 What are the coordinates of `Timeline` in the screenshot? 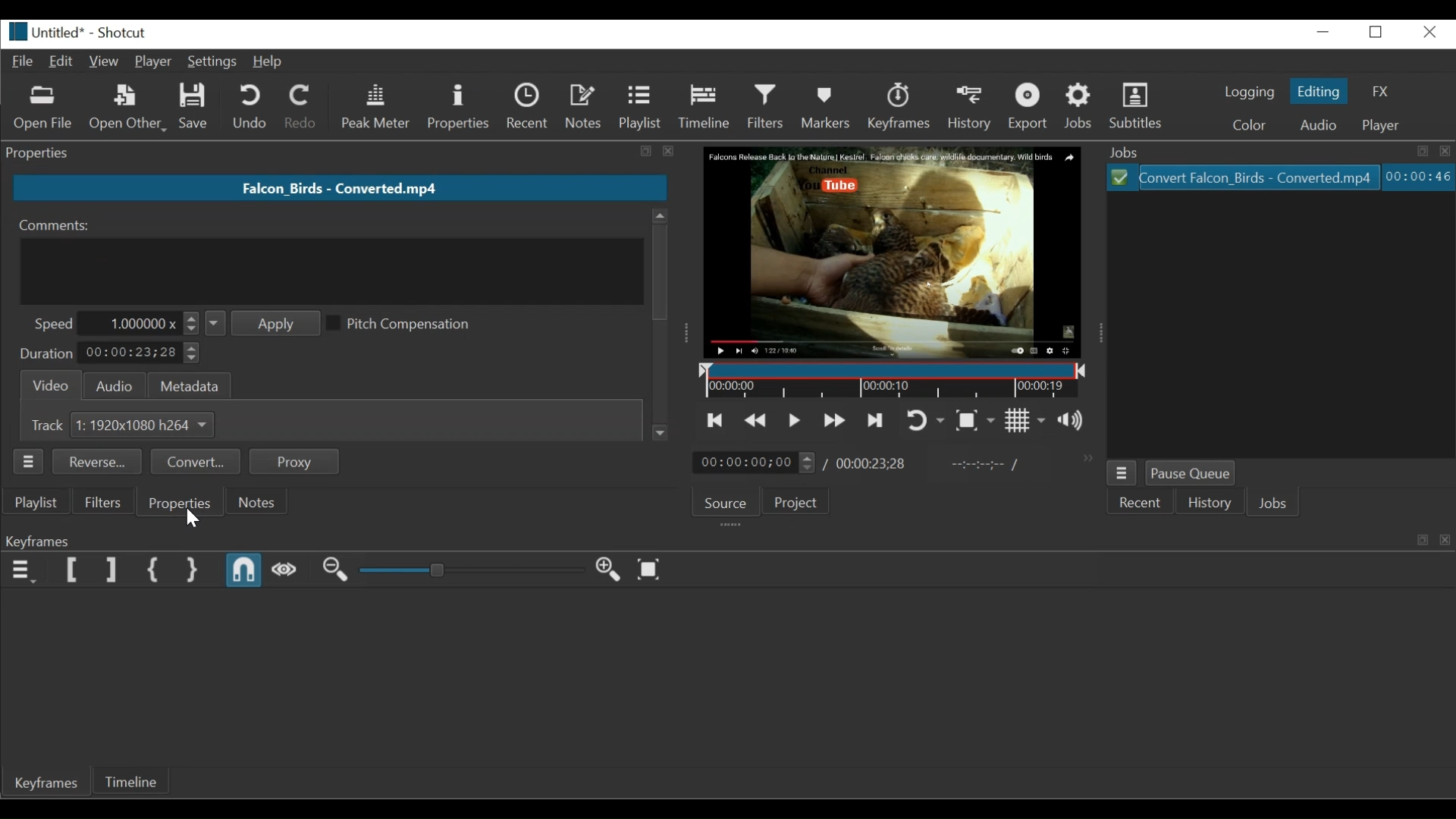 It's located at (890, 380).